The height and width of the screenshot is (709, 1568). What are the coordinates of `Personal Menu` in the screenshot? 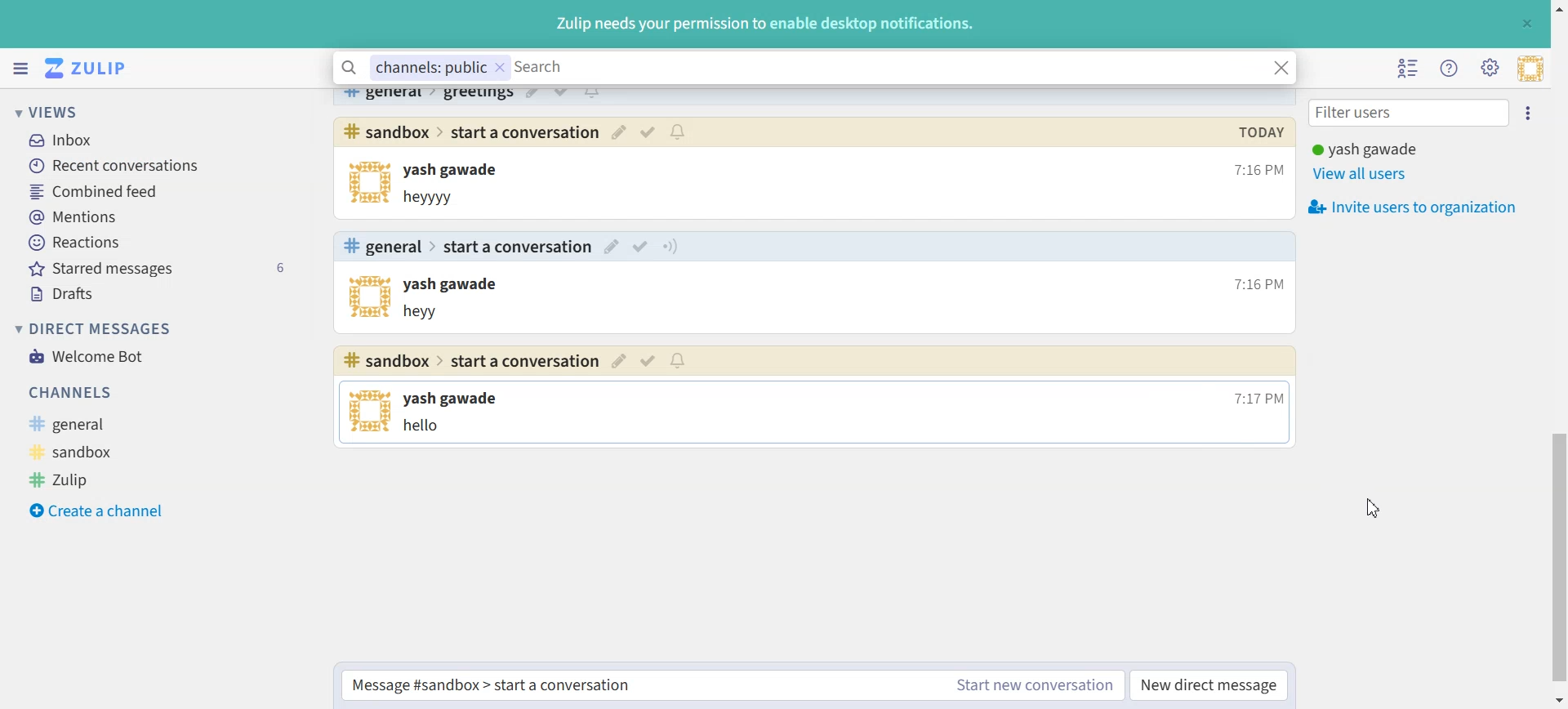 It's located at (1530, 69).